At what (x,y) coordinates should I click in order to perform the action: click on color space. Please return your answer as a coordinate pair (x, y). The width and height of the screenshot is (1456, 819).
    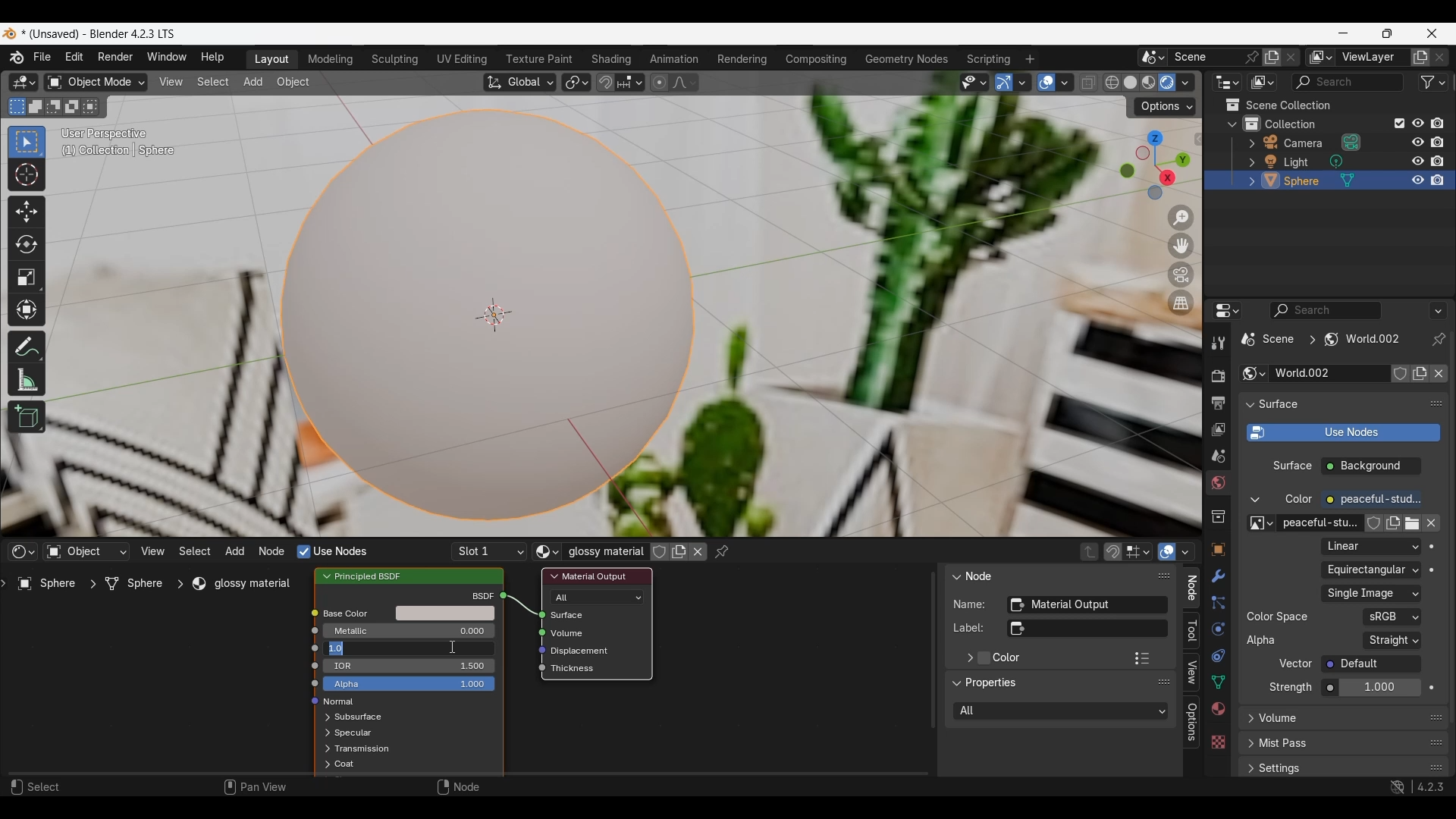
    Looking at the image, I should click on (1278, 617).